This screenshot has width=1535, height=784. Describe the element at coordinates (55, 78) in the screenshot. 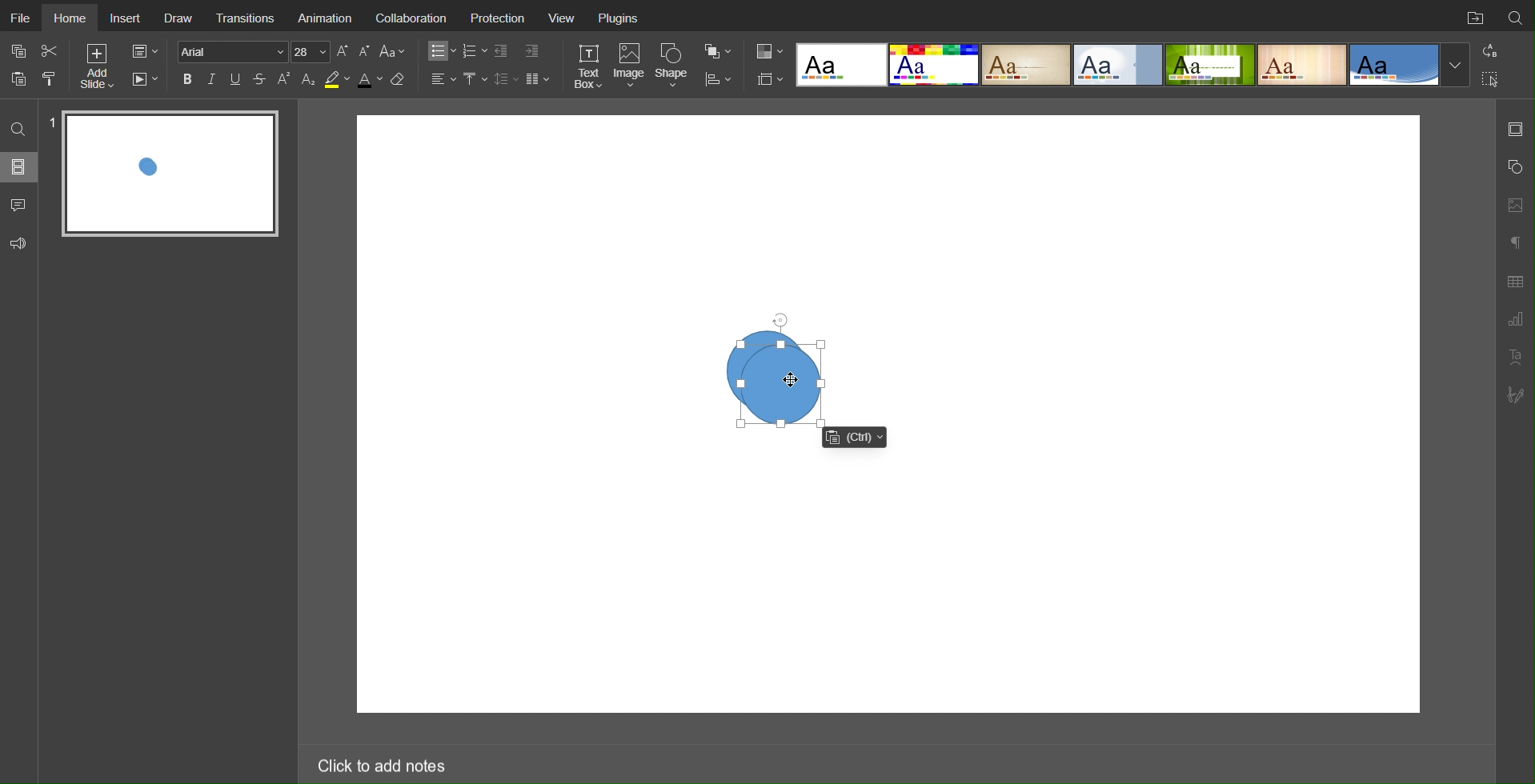

I see `copy style` at that location.